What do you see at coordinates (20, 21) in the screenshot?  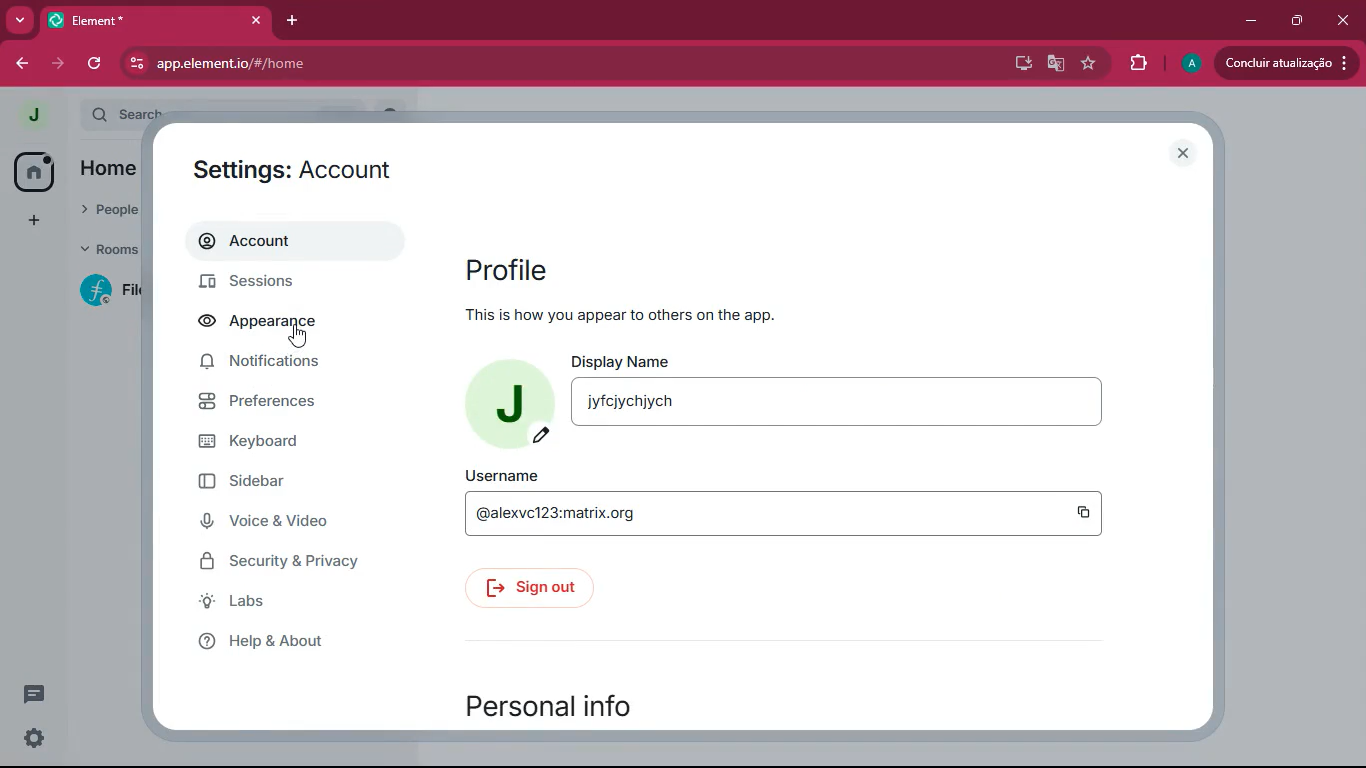 I see `more` at bounding box center [20, 21].